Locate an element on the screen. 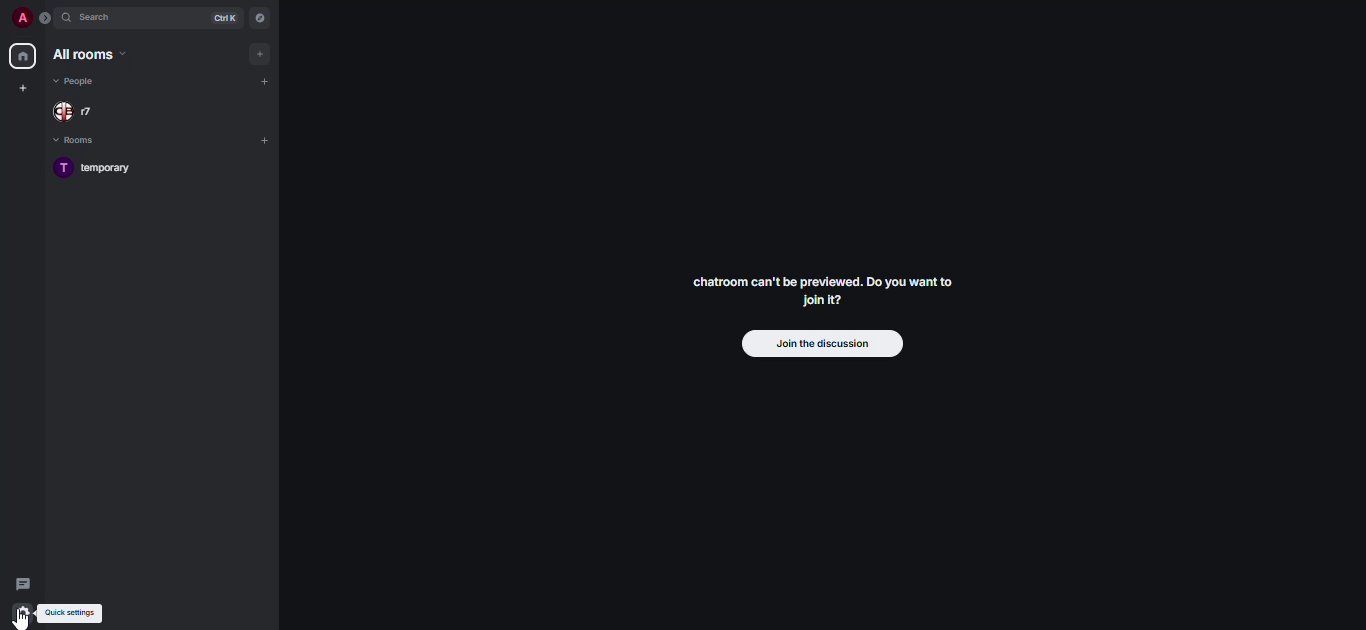 This screenshot has height=630, width=1366. quick settings is located at coordinates (24, 614).